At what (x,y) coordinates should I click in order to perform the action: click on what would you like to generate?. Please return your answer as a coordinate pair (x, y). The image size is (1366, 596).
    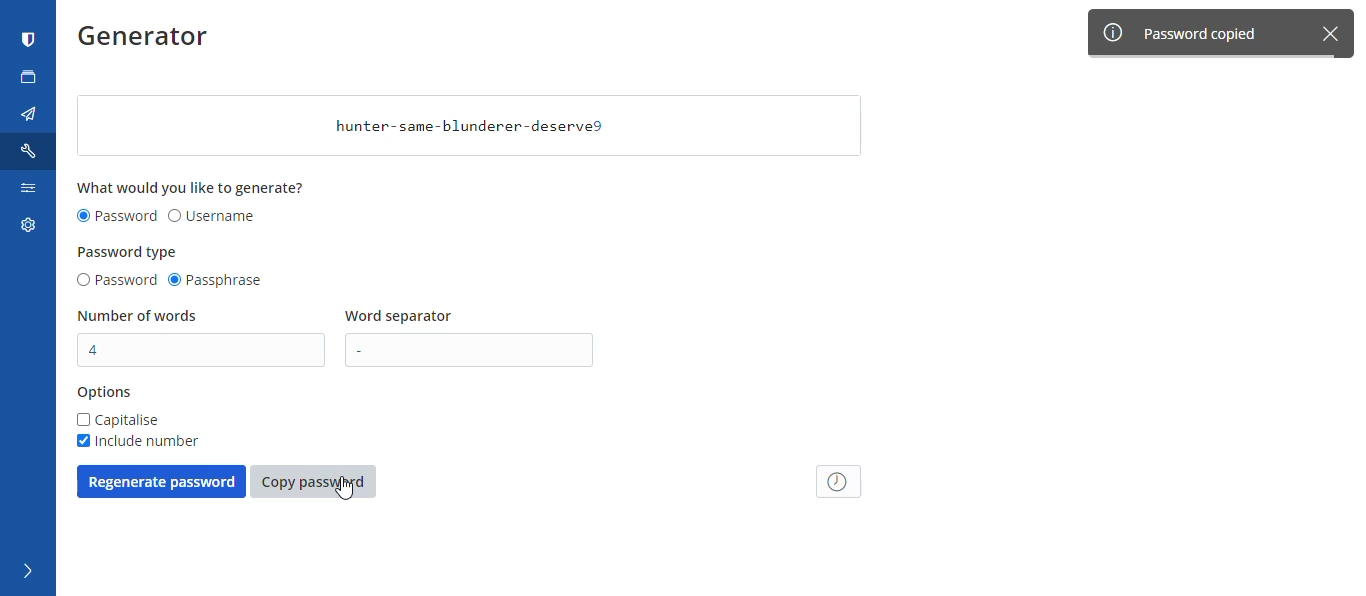
    Looking at the image, I should click on (193, 187).